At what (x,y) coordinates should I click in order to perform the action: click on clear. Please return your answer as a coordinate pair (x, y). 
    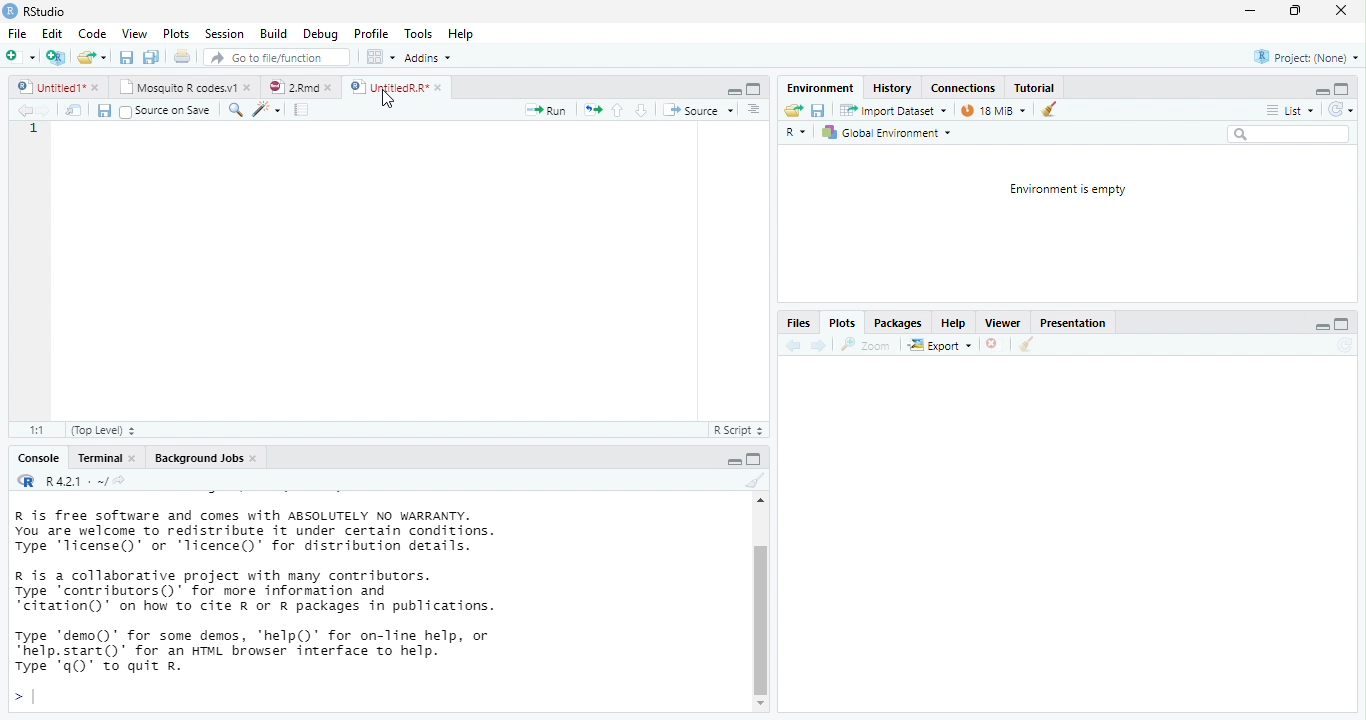
    Looking at the image, I should click on (753, 481).